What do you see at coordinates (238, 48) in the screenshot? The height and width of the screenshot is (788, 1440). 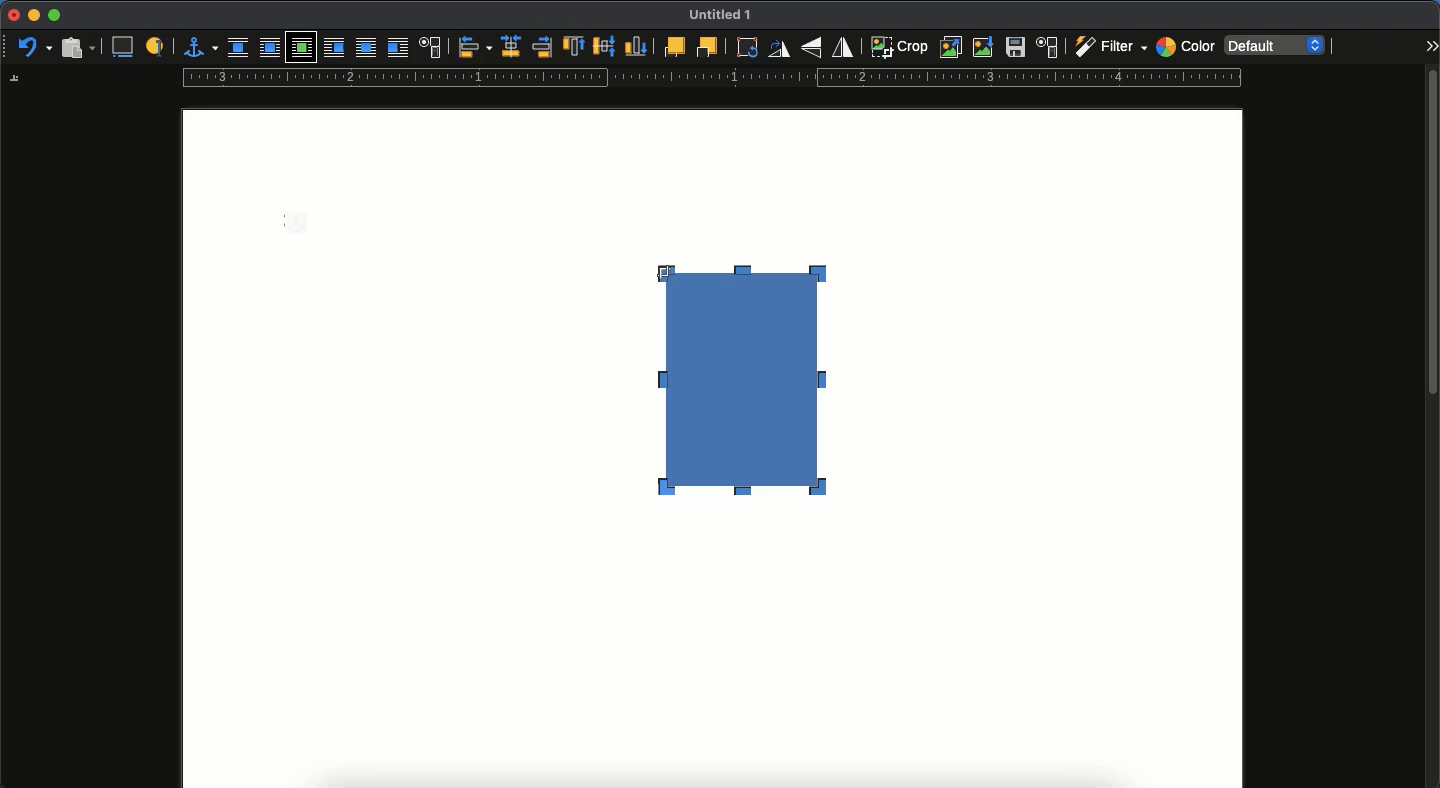 I see `none` at bounding box center [238, 48].